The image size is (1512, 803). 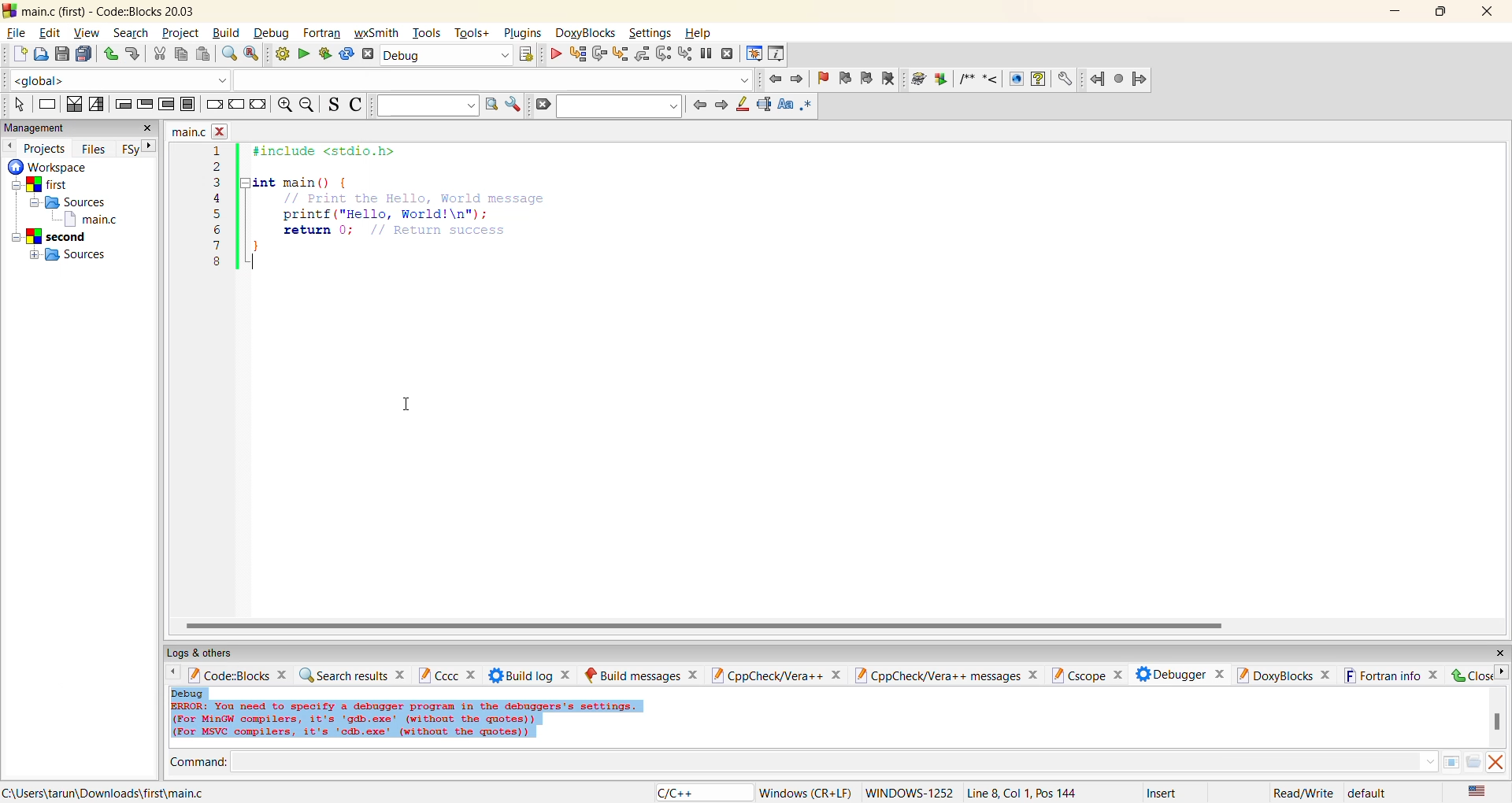 What do you see at coordinates (775, 79) in the screenshot?
I see `jump back` at bounding box center [775, 79].